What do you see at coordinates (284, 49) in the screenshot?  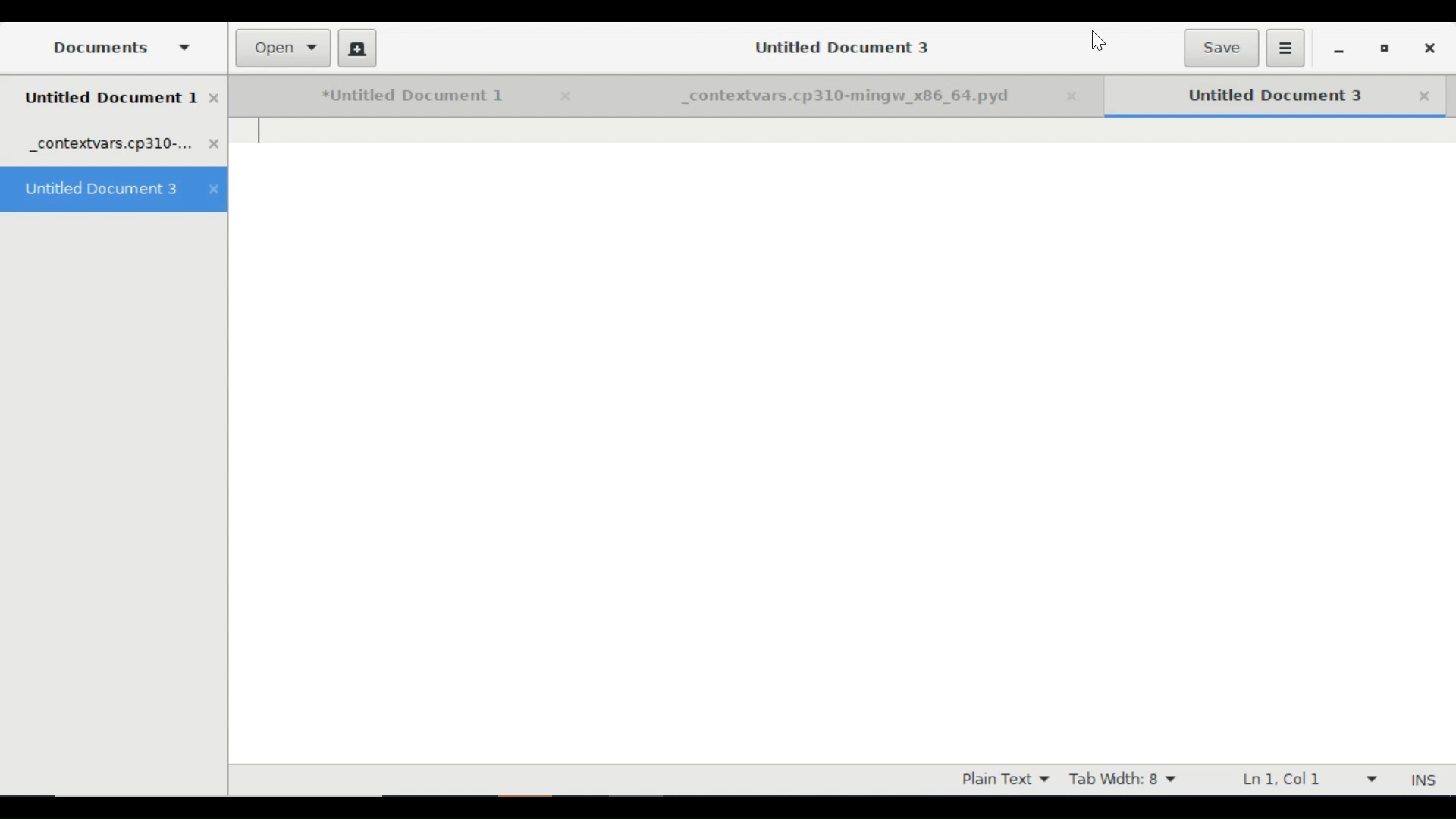 I see `Open` at bounding box center [284, 49].